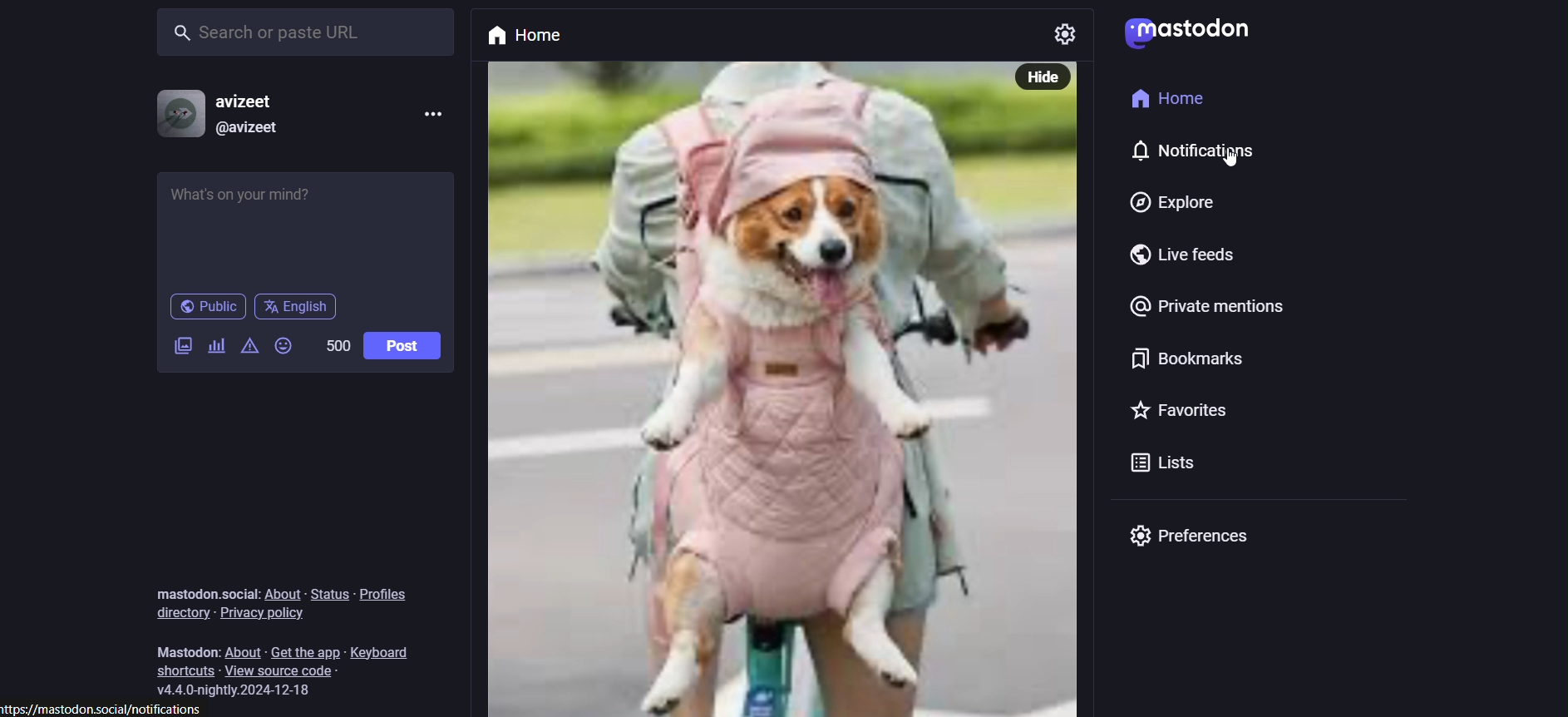 The height and width of the screenshot is (717, 1568). I want to click on explore, so click(1172, 203).